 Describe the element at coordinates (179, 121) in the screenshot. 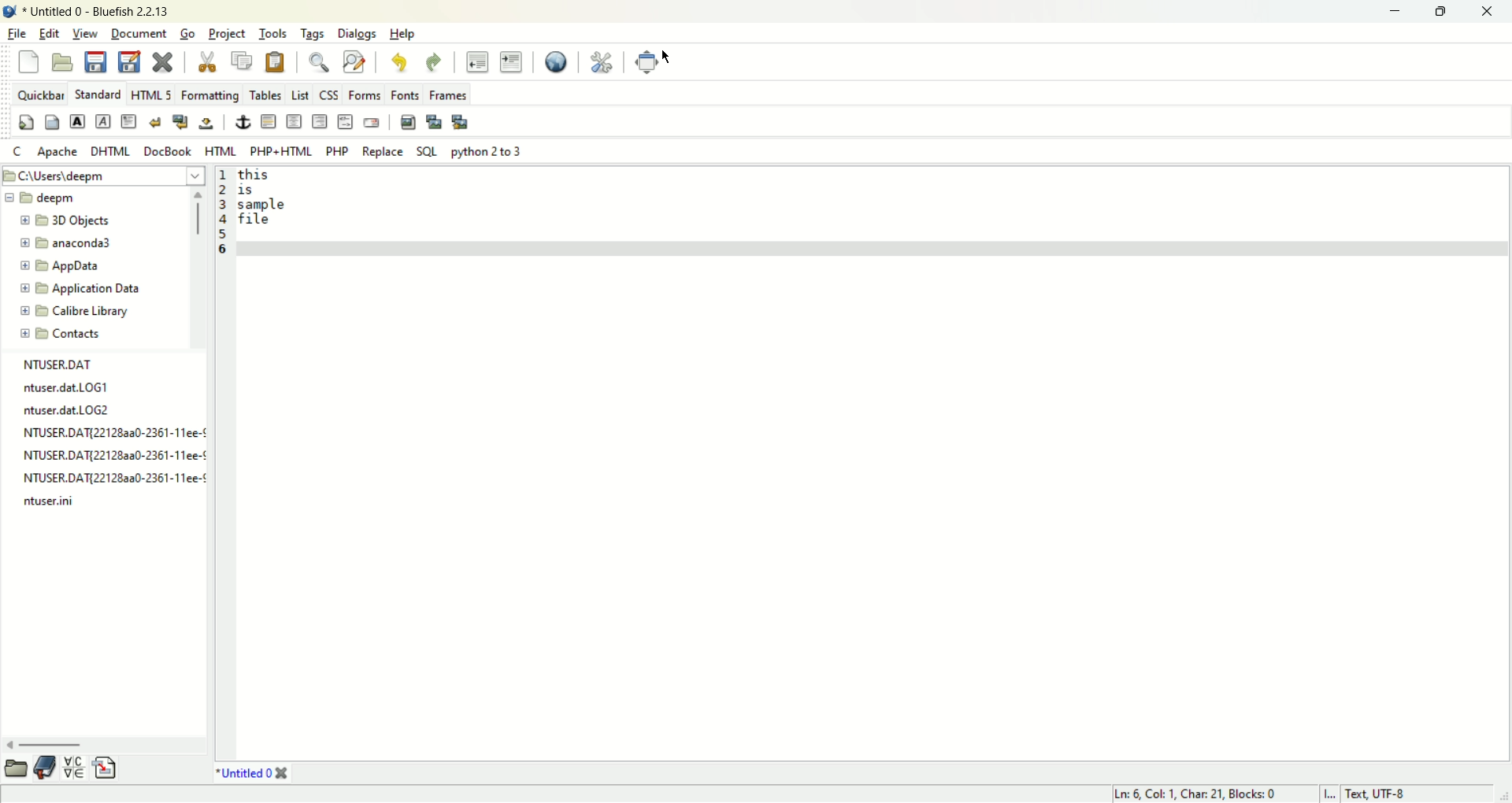

I see `break and clear` at that location.